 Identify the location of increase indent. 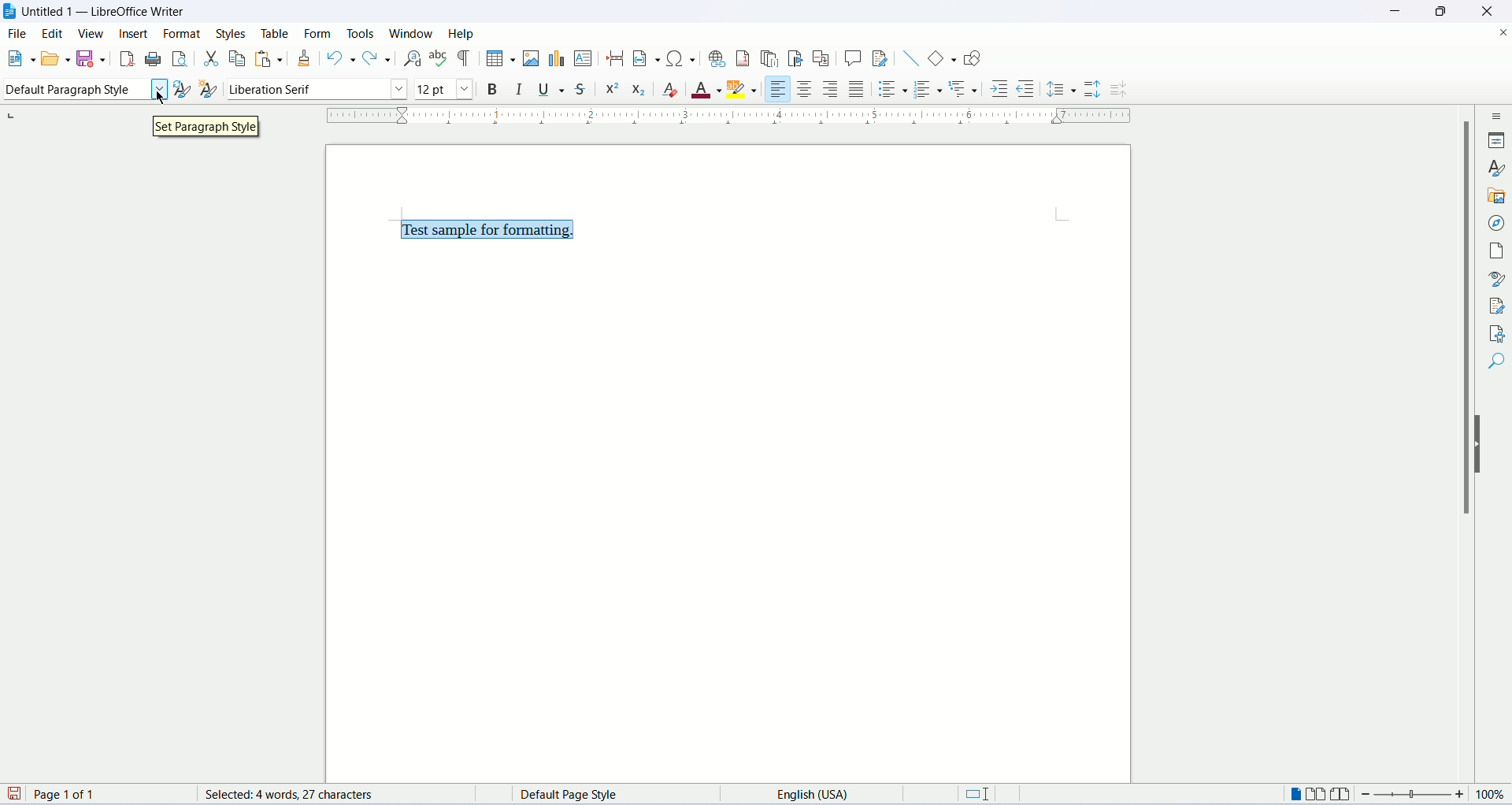
(999, 91).